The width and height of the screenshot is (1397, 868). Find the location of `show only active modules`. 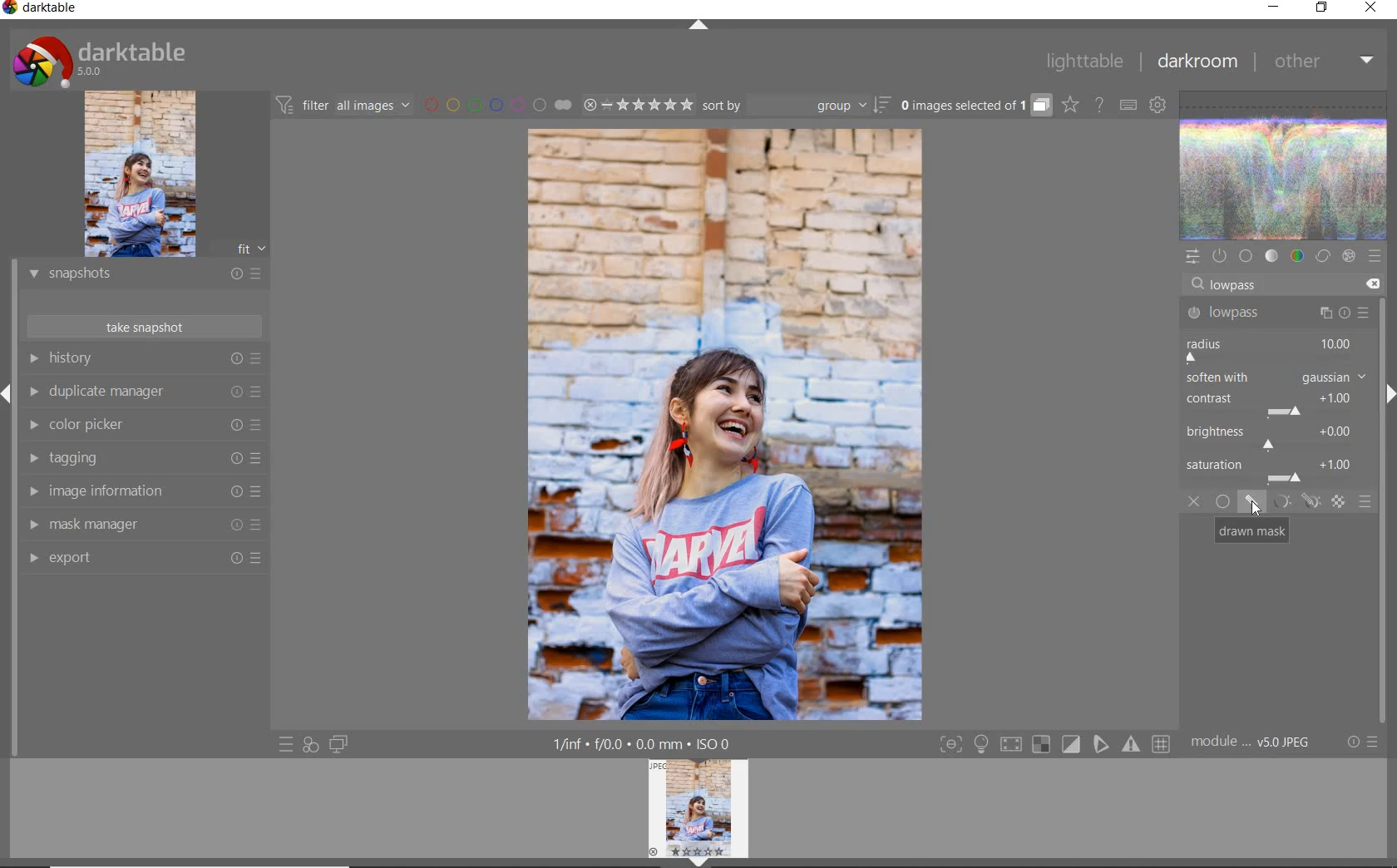

show only active modules is located at coordinates (1220, 257).